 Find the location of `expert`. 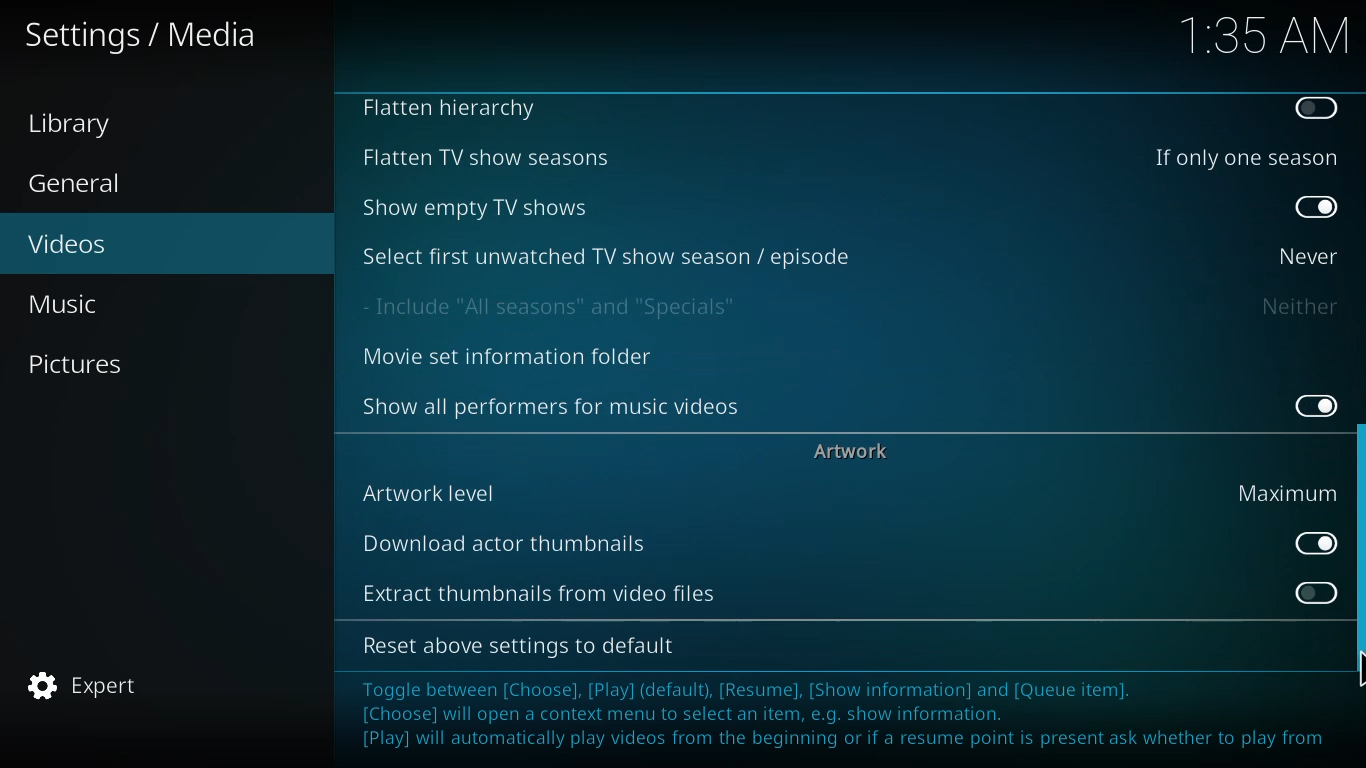

expert is located at coordinates (85, 686).